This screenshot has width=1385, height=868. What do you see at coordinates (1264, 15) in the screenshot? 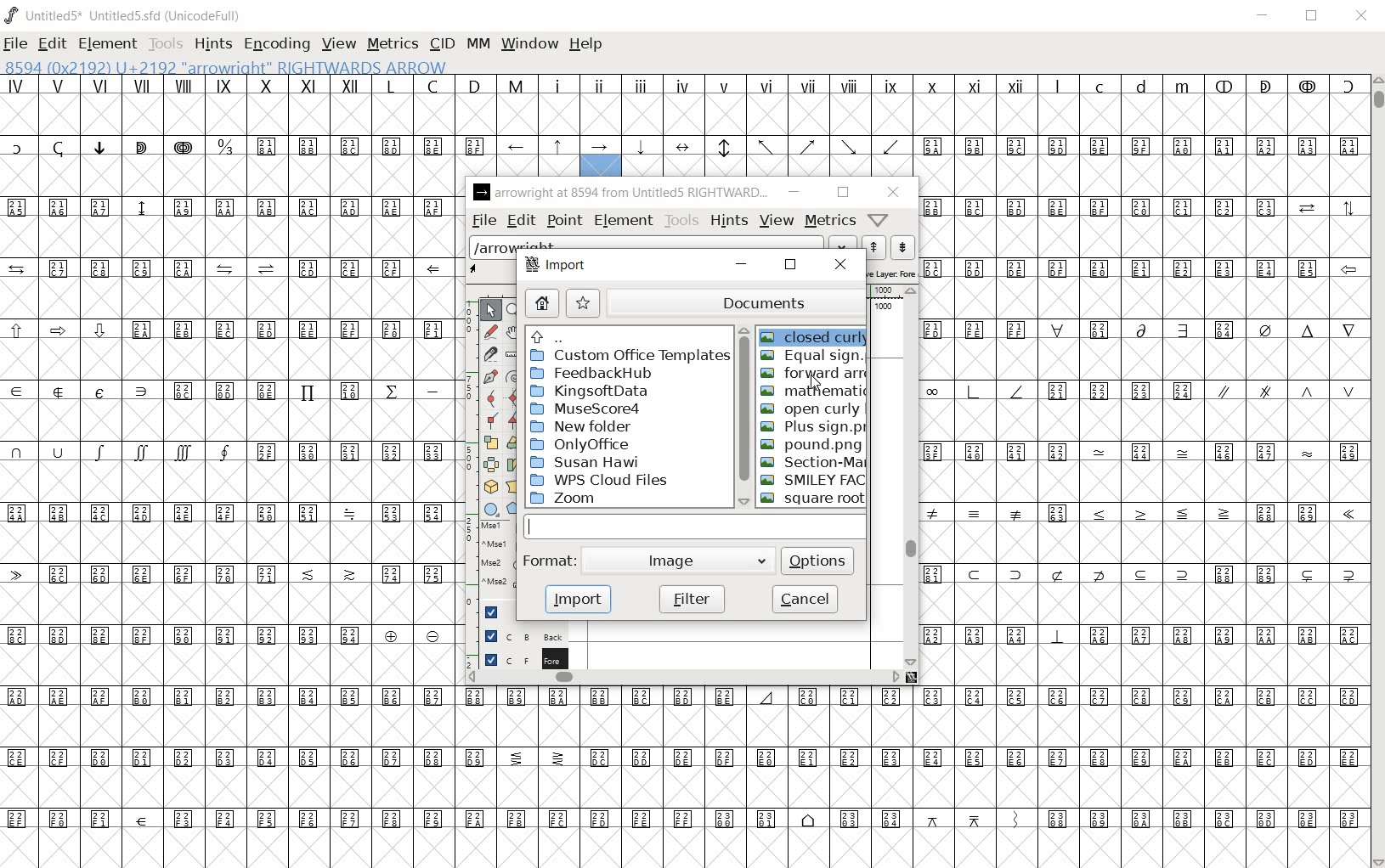
I see `MINIMIZE` at bounding box center [1264, 15].